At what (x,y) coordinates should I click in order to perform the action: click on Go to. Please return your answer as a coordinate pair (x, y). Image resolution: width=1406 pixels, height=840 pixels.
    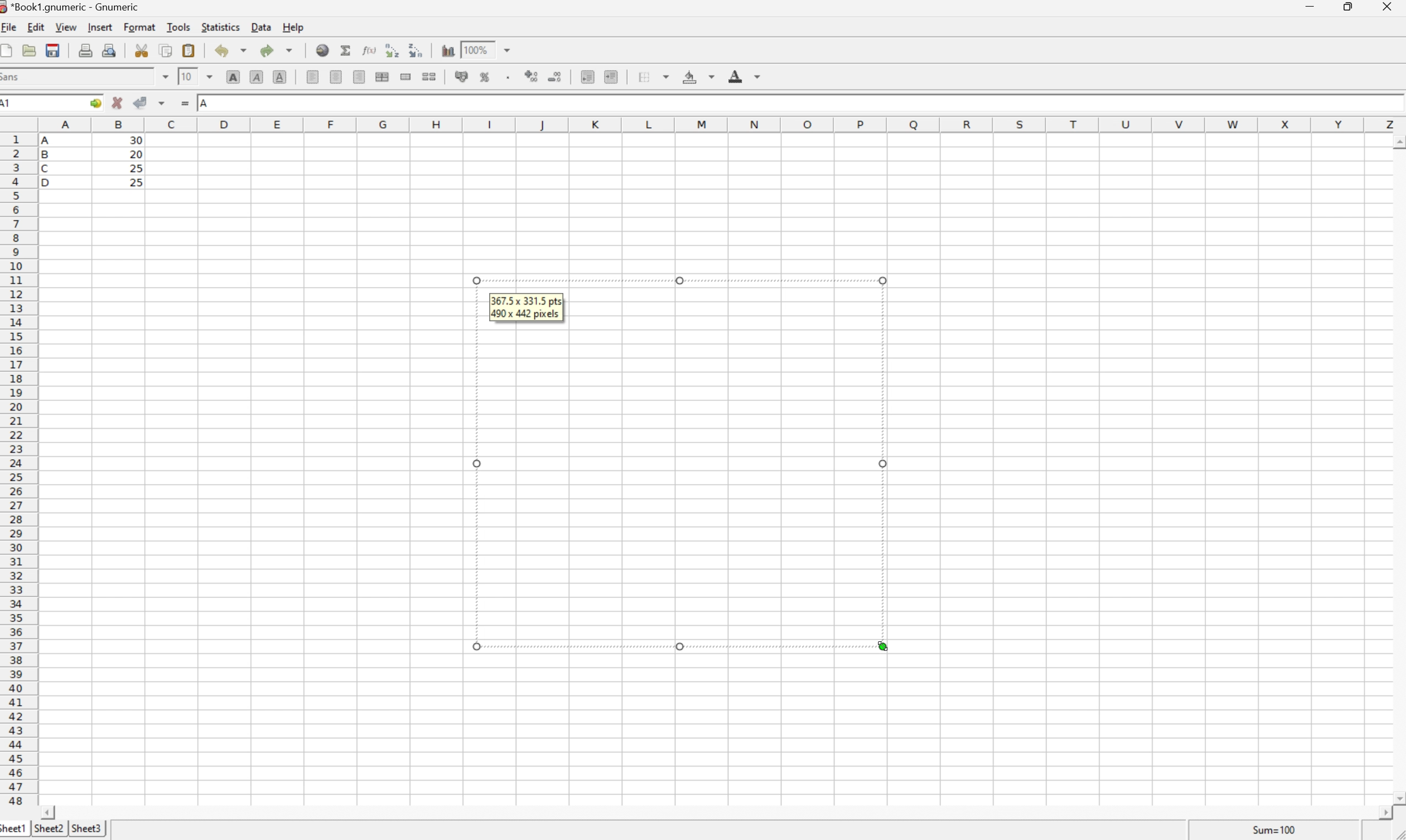
    Looking at the image, I should click on (95, 101).